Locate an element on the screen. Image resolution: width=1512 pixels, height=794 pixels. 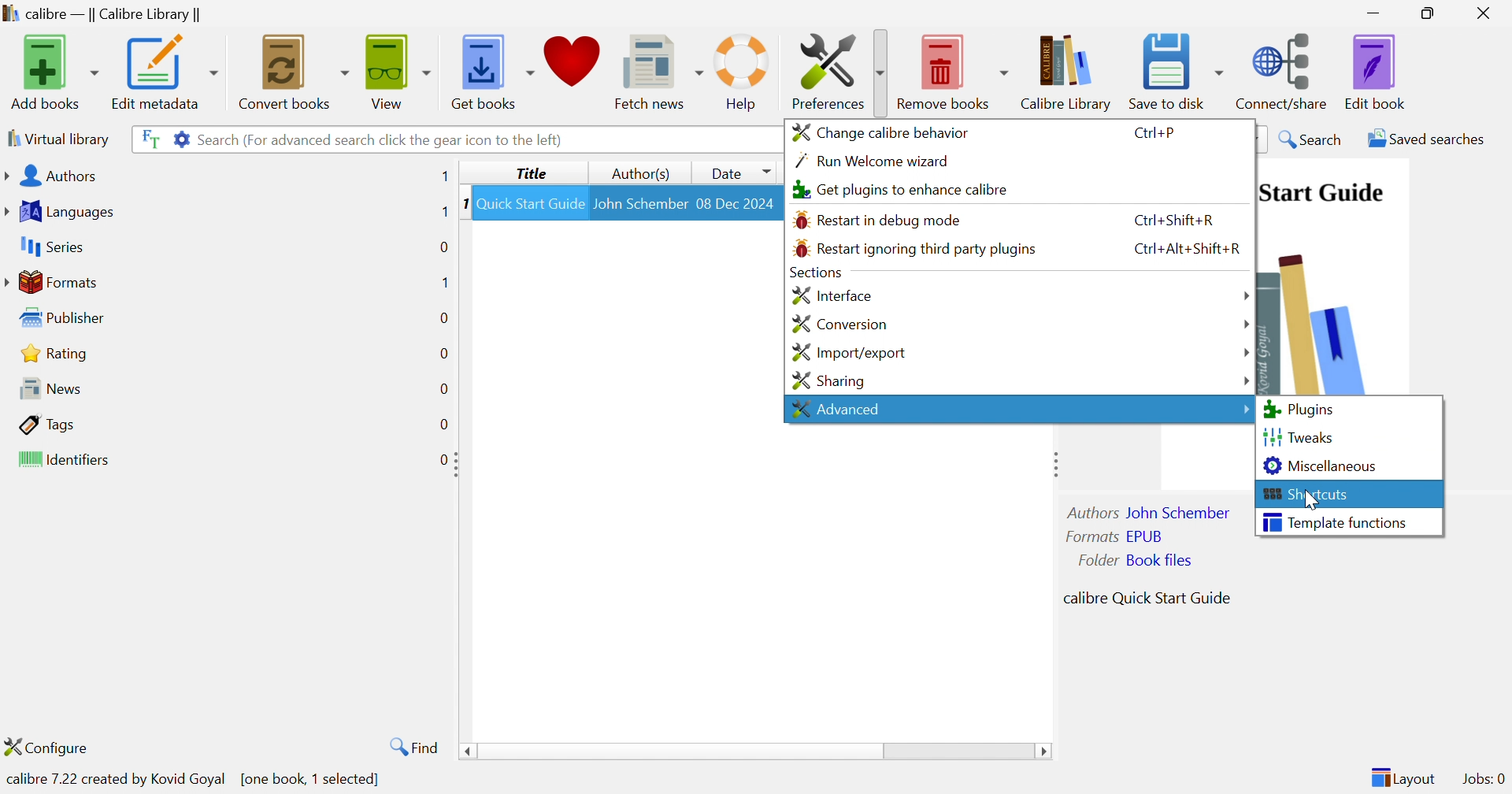
Identifiers is located at coordinates (67, 461).